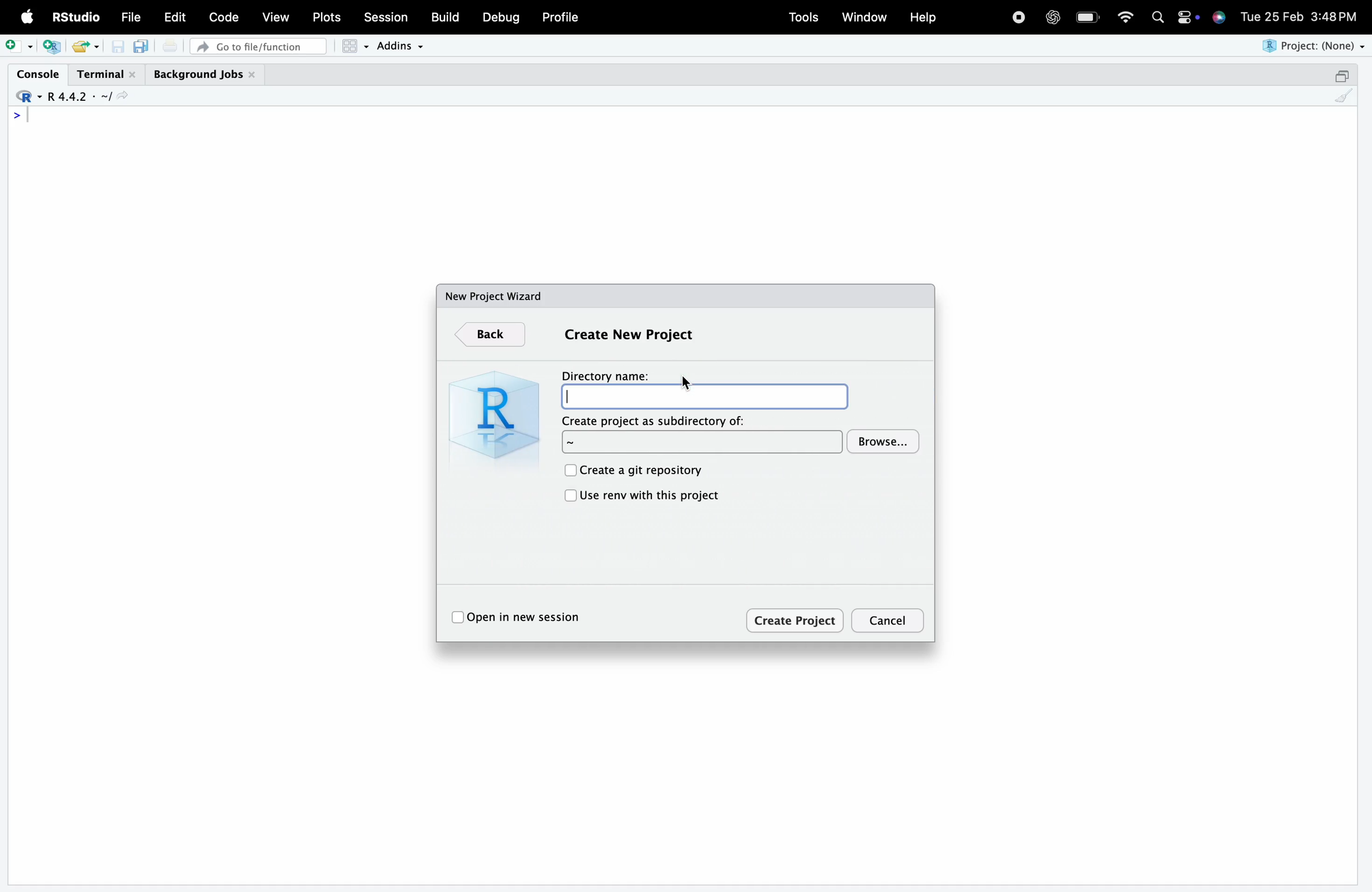 The width and height of the screenshot is (1372, 892). I want to click on Create Project, so click(796, 619).